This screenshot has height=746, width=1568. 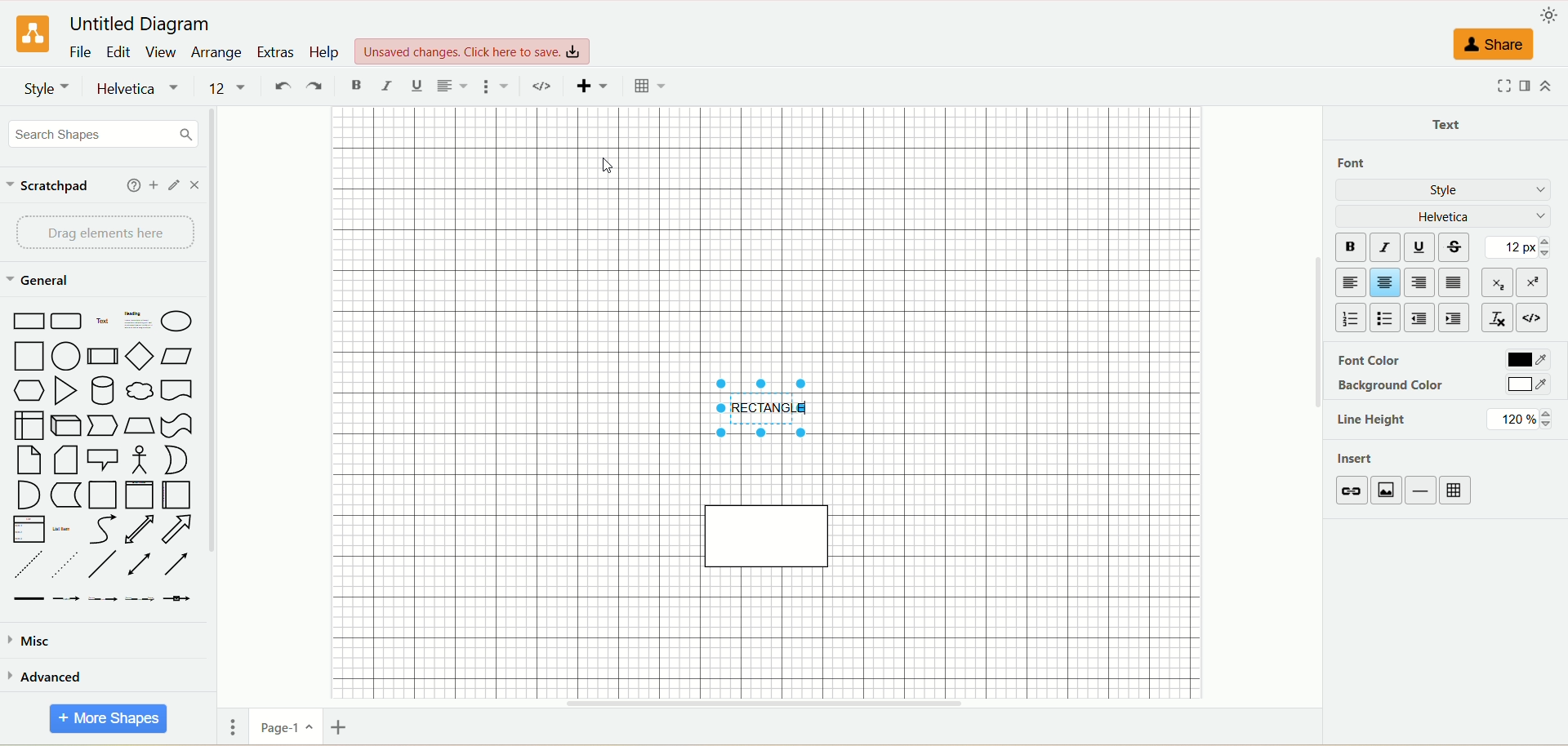 What do you see at coordinates (649, 87) in the screenshot?
I see `Table` at bounding box center [649, 87].